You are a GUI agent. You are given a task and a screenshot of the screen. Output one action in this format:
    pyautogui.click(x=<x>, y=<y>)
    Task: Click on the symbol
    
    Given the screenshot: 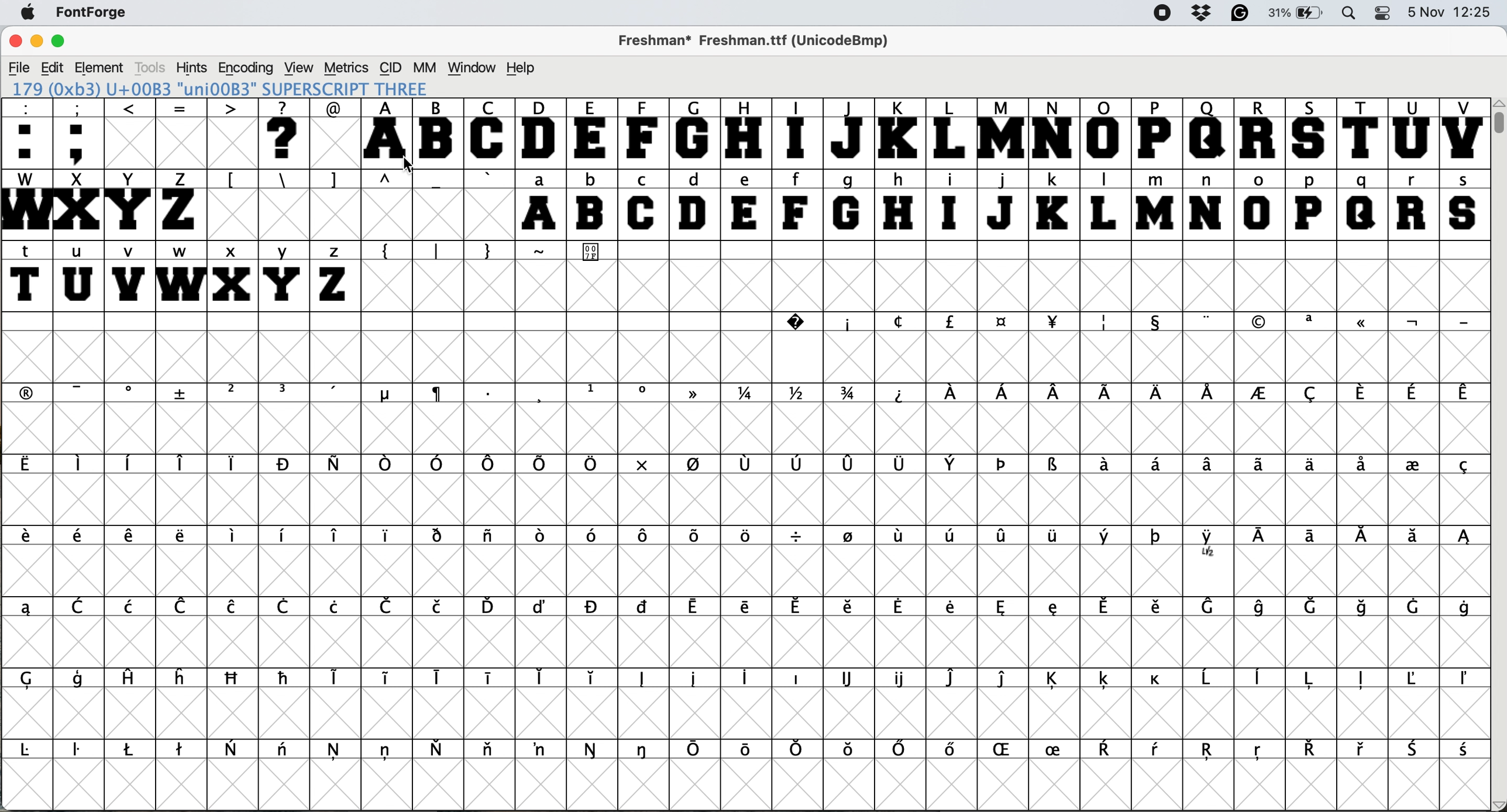 What is the action you would take?
    pyautogui.click(x=336, y=753)
    